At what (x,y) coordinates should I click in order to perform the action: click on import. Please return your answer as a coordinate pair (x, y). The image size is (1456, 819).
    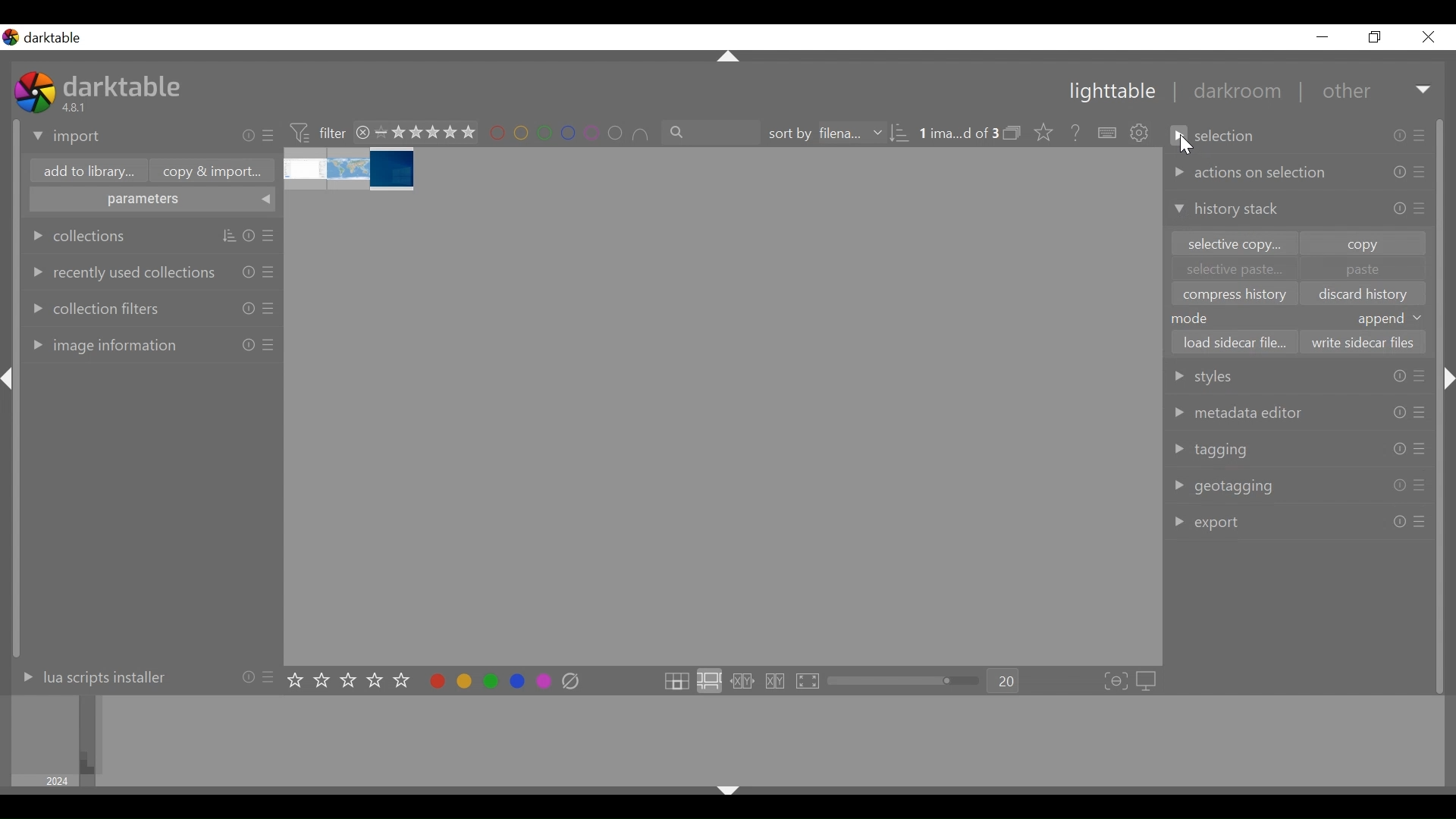
    Looking at the image, I should click on (67, 137).